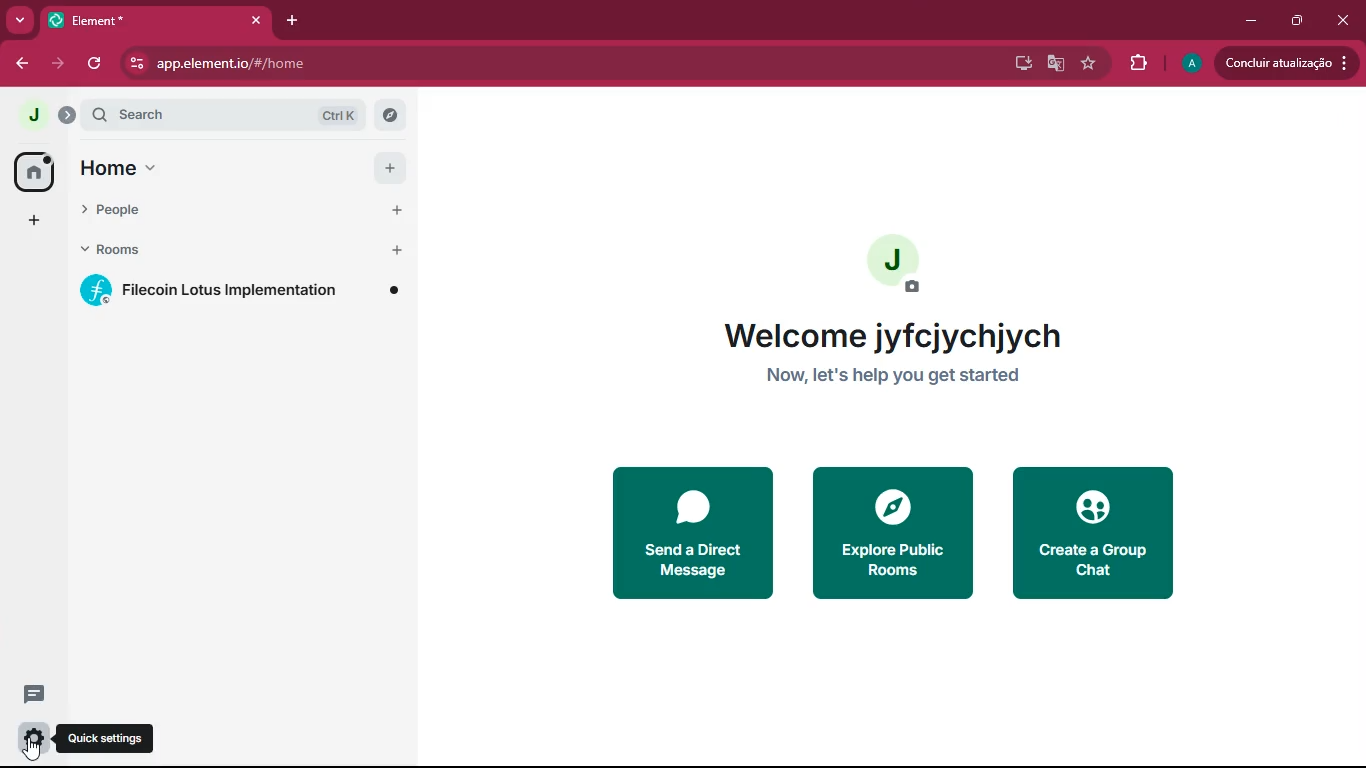  I want to click on ctrl k, so click(342, 115).